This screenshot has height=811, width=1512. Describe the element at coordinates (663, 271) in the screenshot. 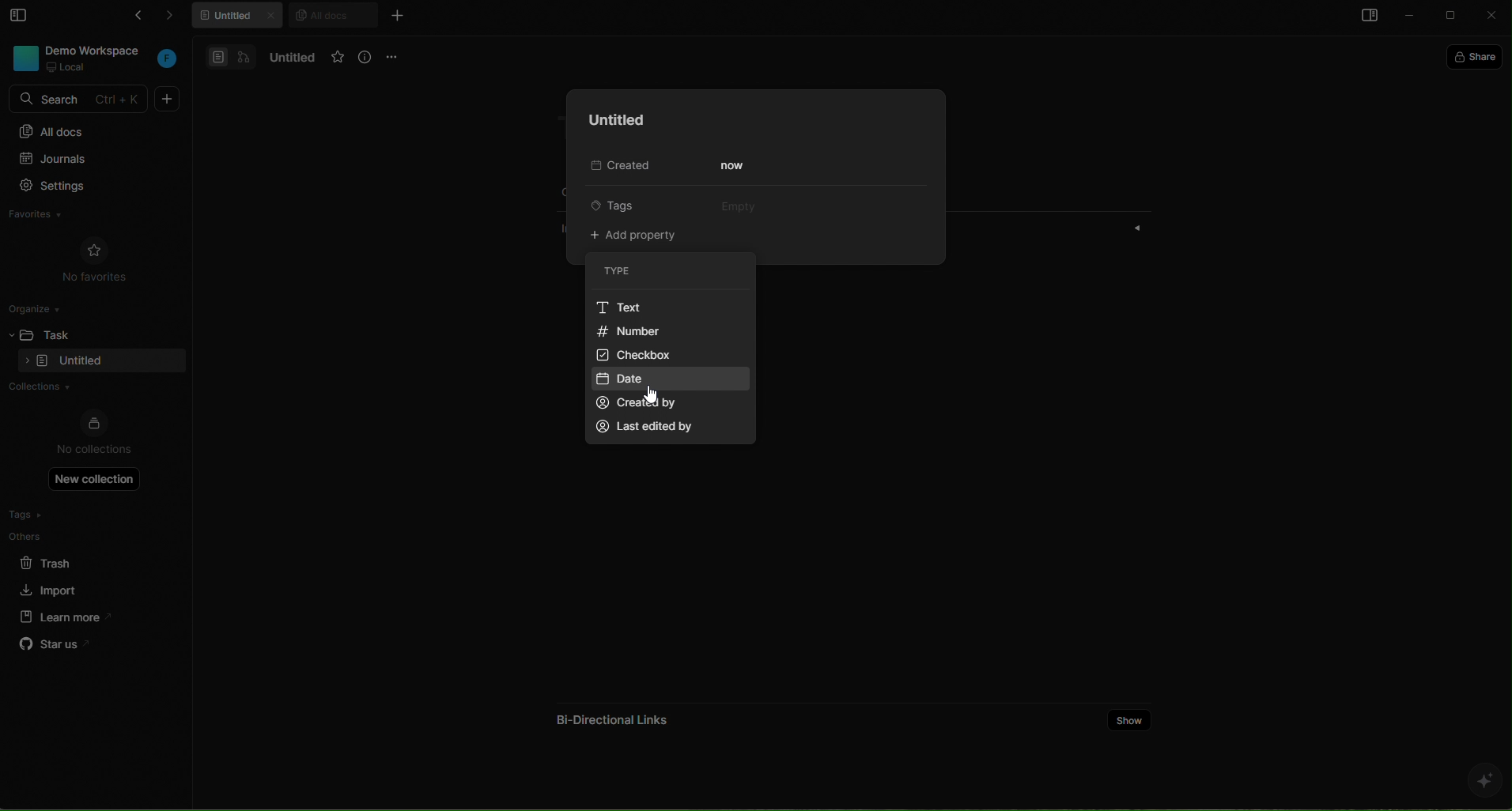

I see `type` at that location.